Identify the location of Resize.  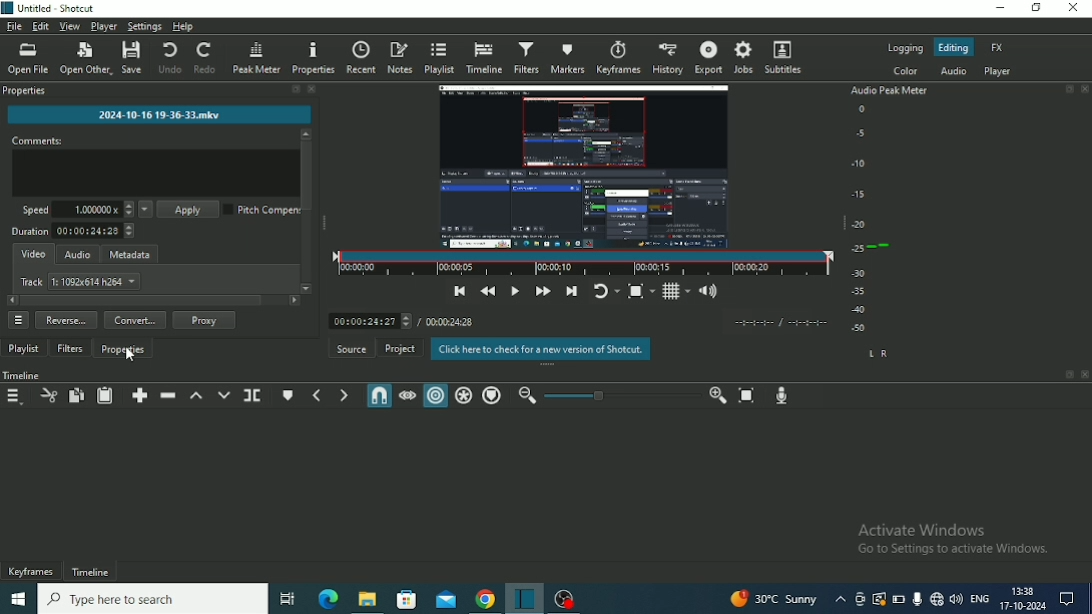
(549, 365).